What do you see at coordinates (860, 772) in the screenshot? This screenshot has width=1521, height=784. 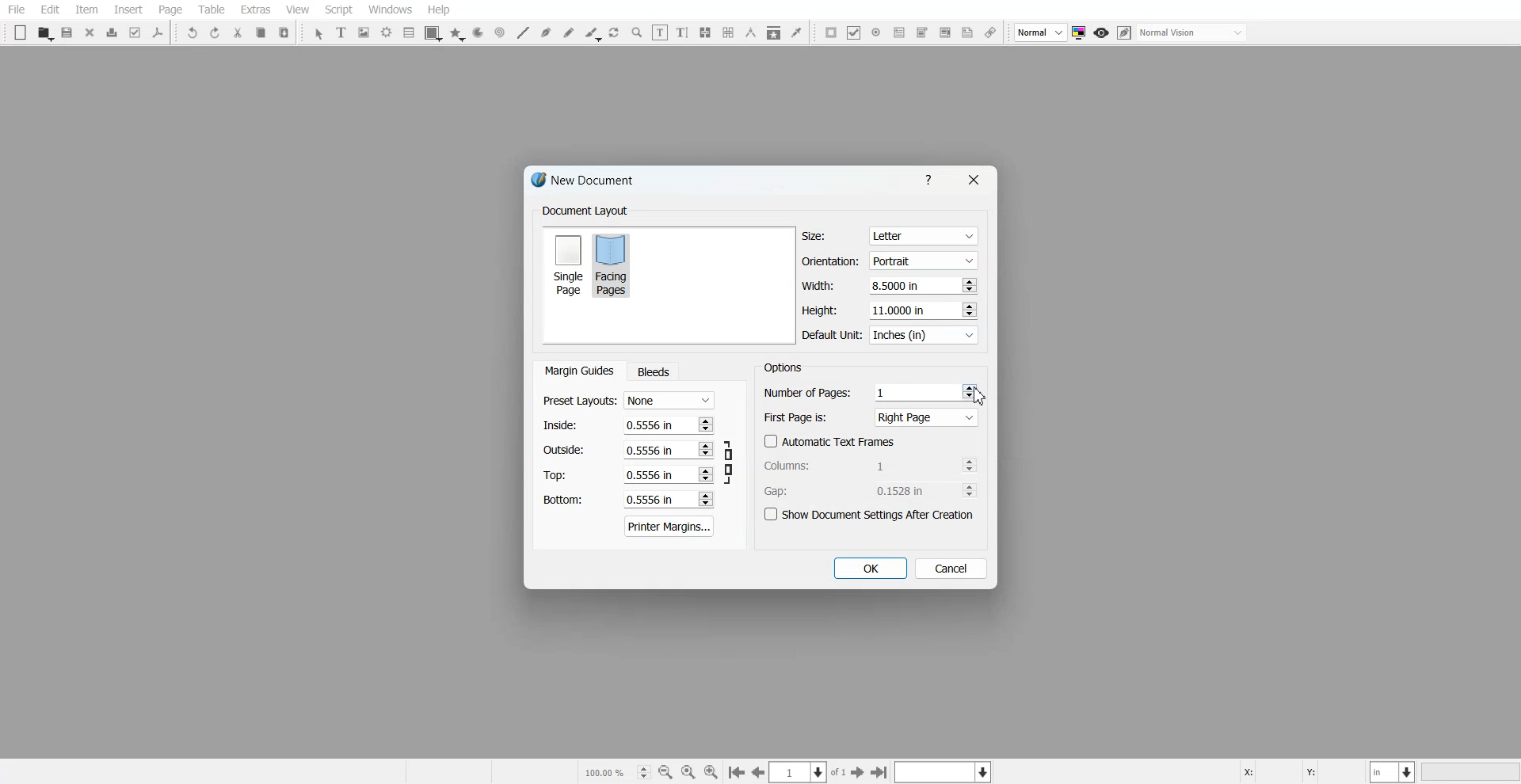 I see `Go to the First page` at bounding box center [860, 772].